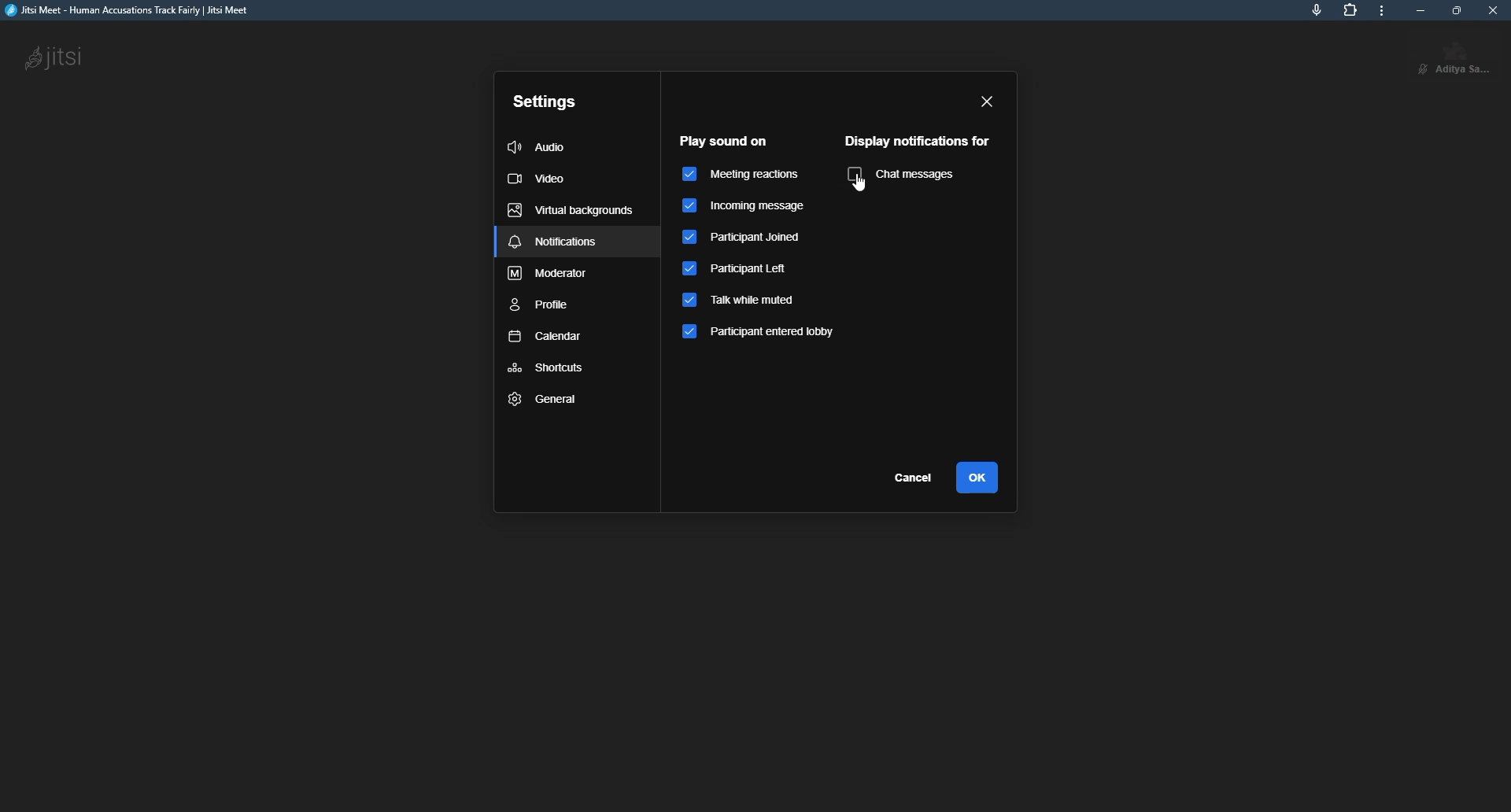 Image resolution: width=1511 pixels, height=812 pixels. I want to click on maximize, so click(1457, 10).